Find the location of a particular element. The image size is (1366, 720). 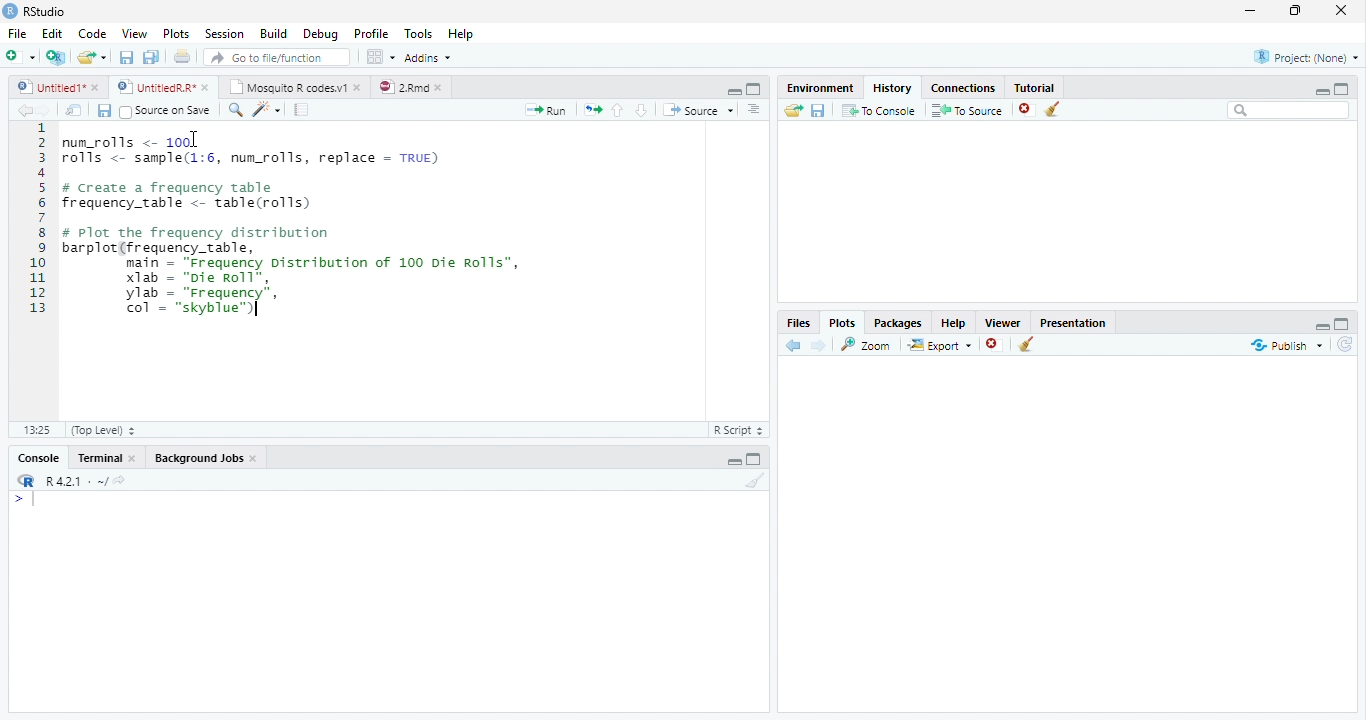

© UntitedRR* * is located at coordinates (165, 87).